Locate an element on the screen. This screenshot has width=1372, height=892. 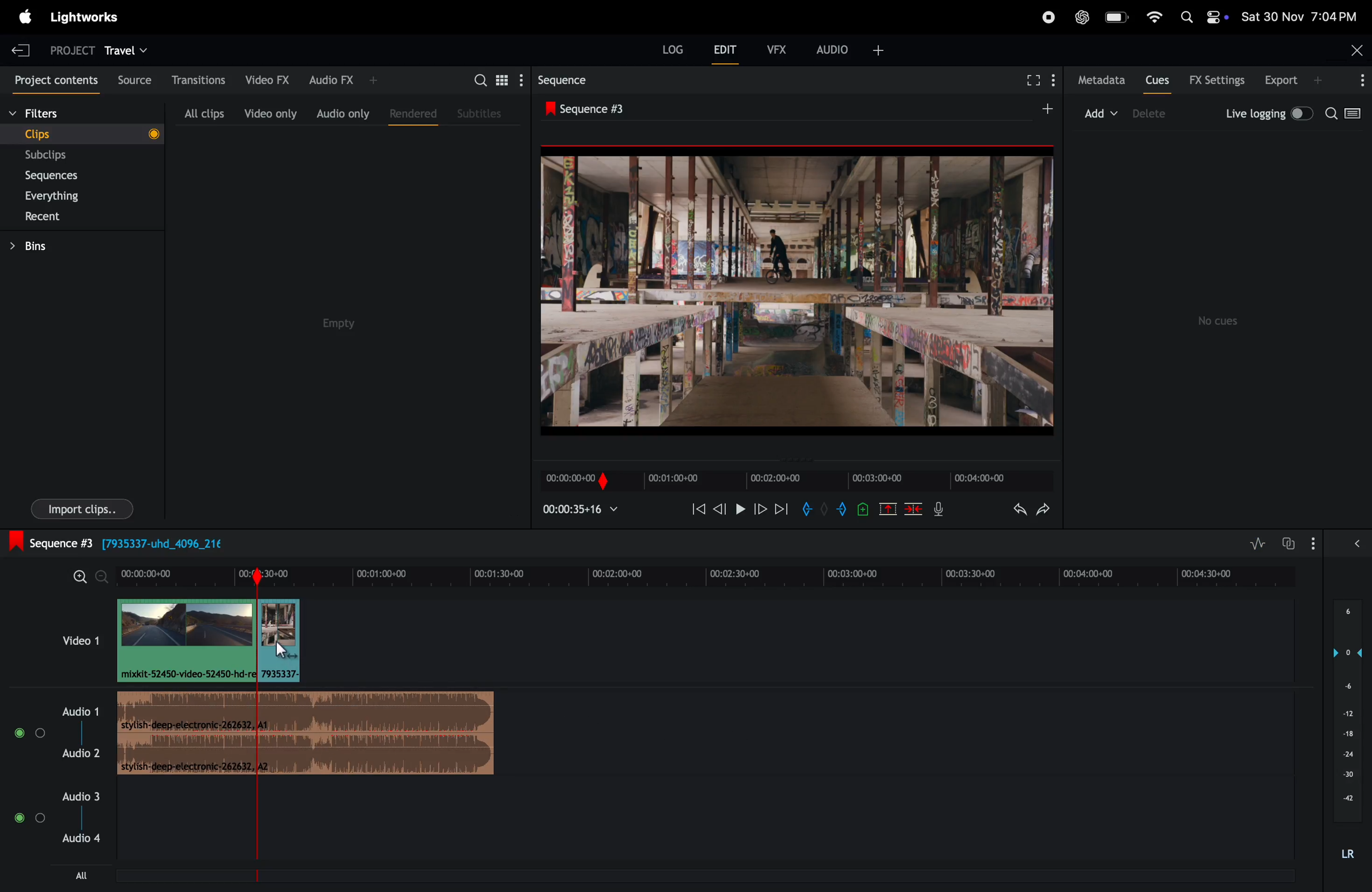
 is located at coordinates (823, 510).